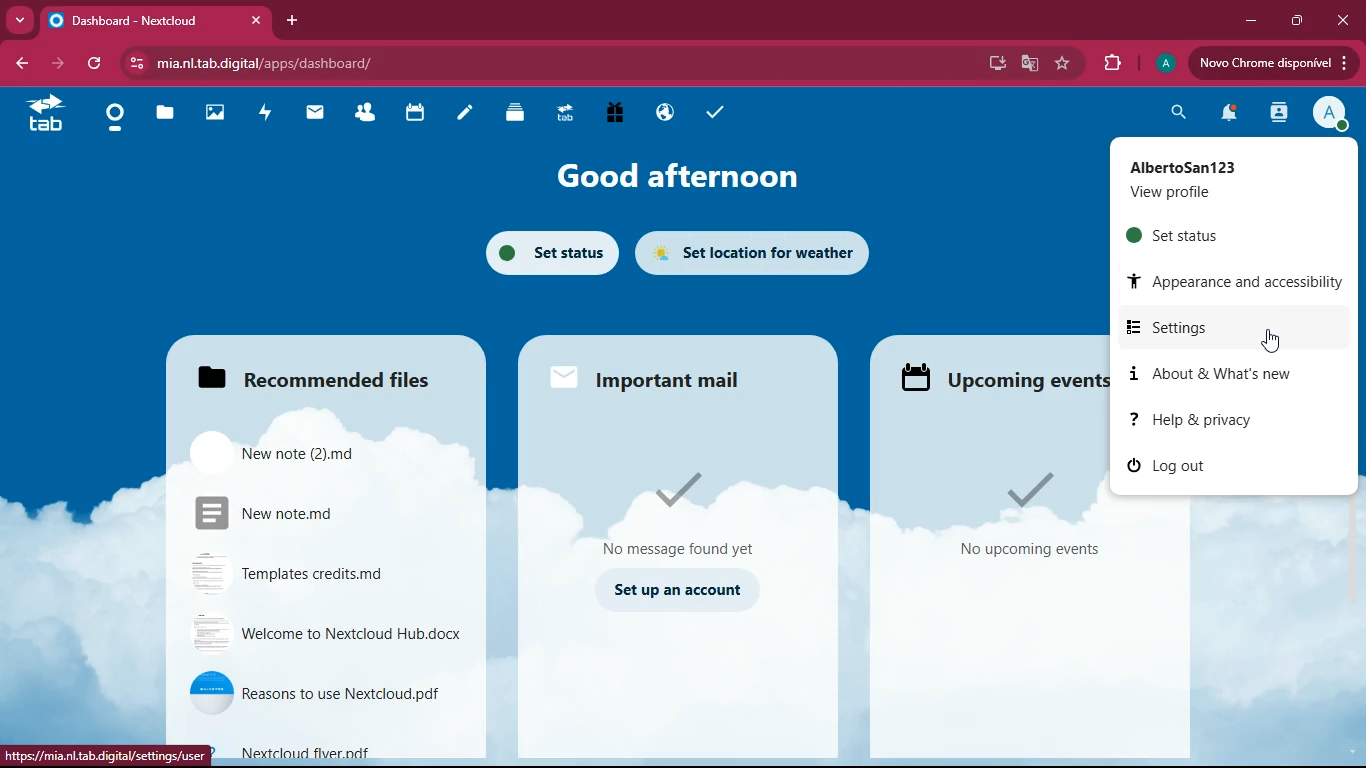  Describe the element at coordinates (680, 591) in the screenshot. I see `set up` at that location.